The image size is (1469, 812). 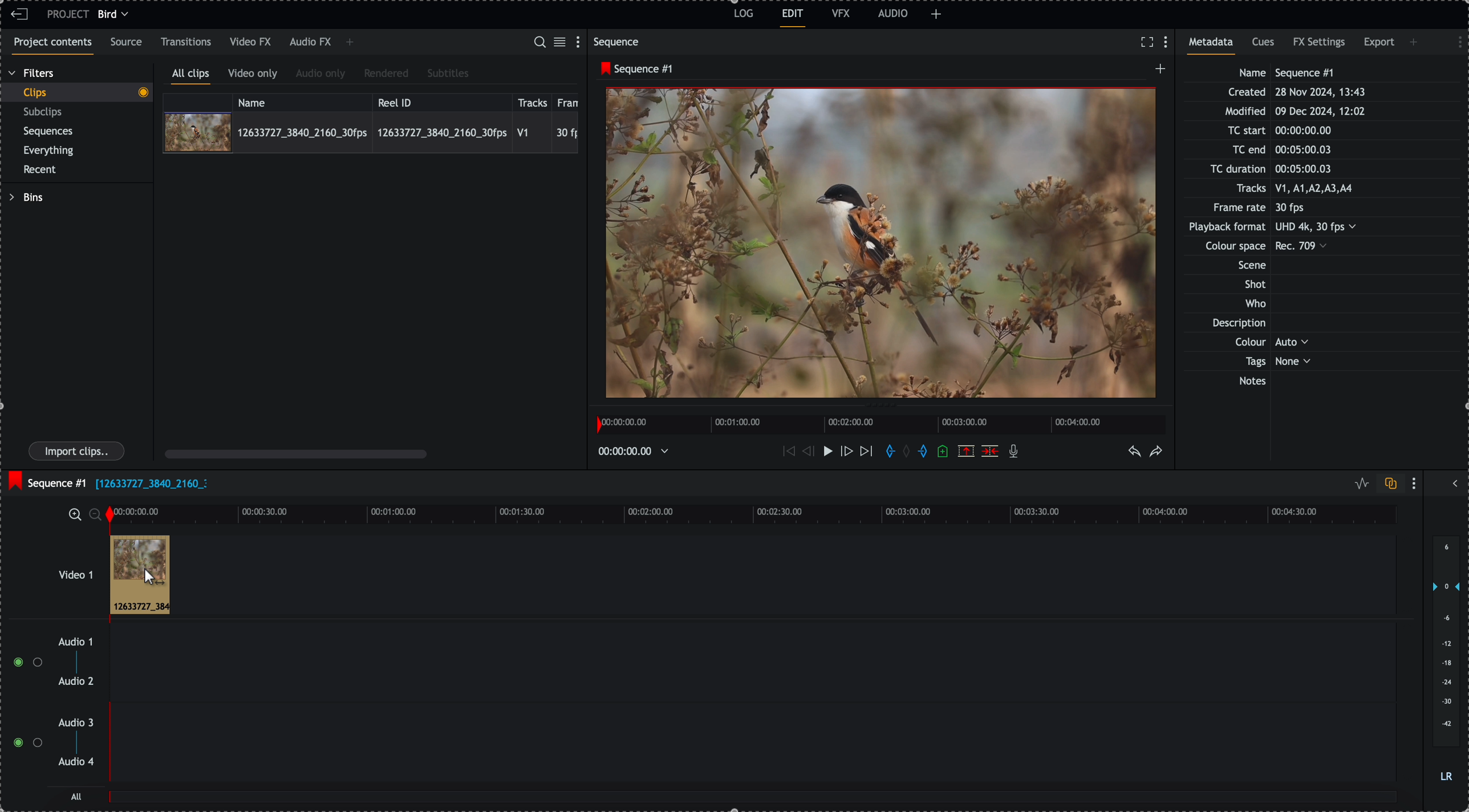 What do you see at coordinates (846, 452) in the screenshot?
I see `nudge one frame foward` at bounding box center [846, 452].